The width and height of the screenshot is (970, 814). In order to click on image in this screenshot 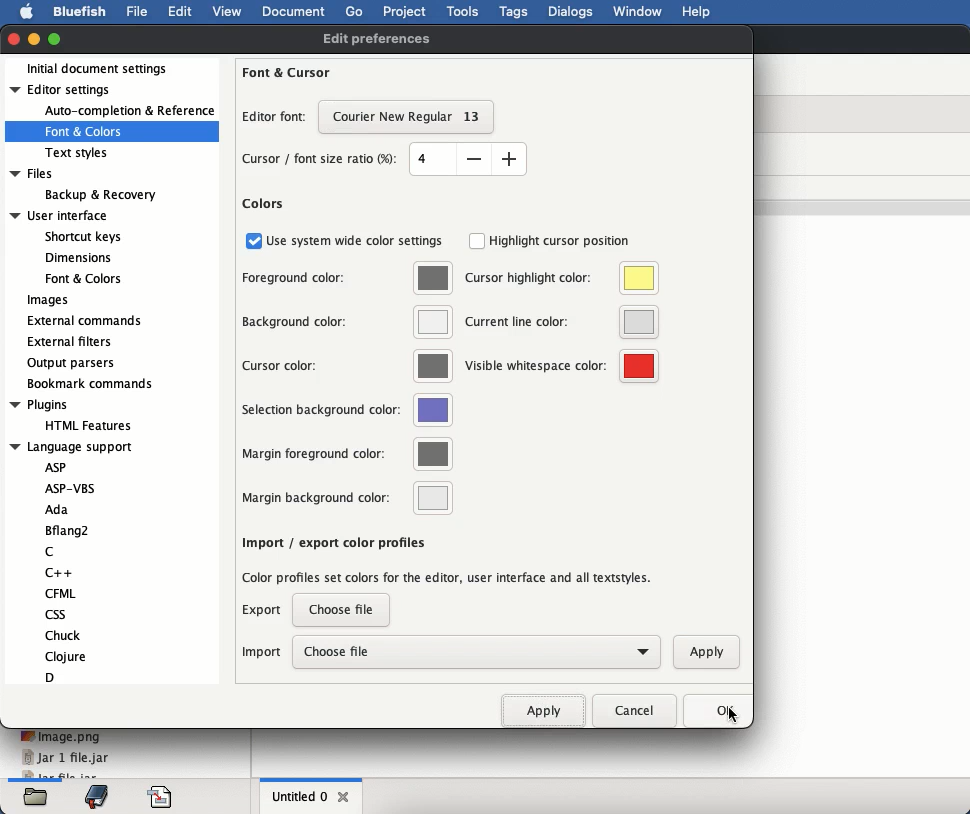, I will do `click(61, 736)`.